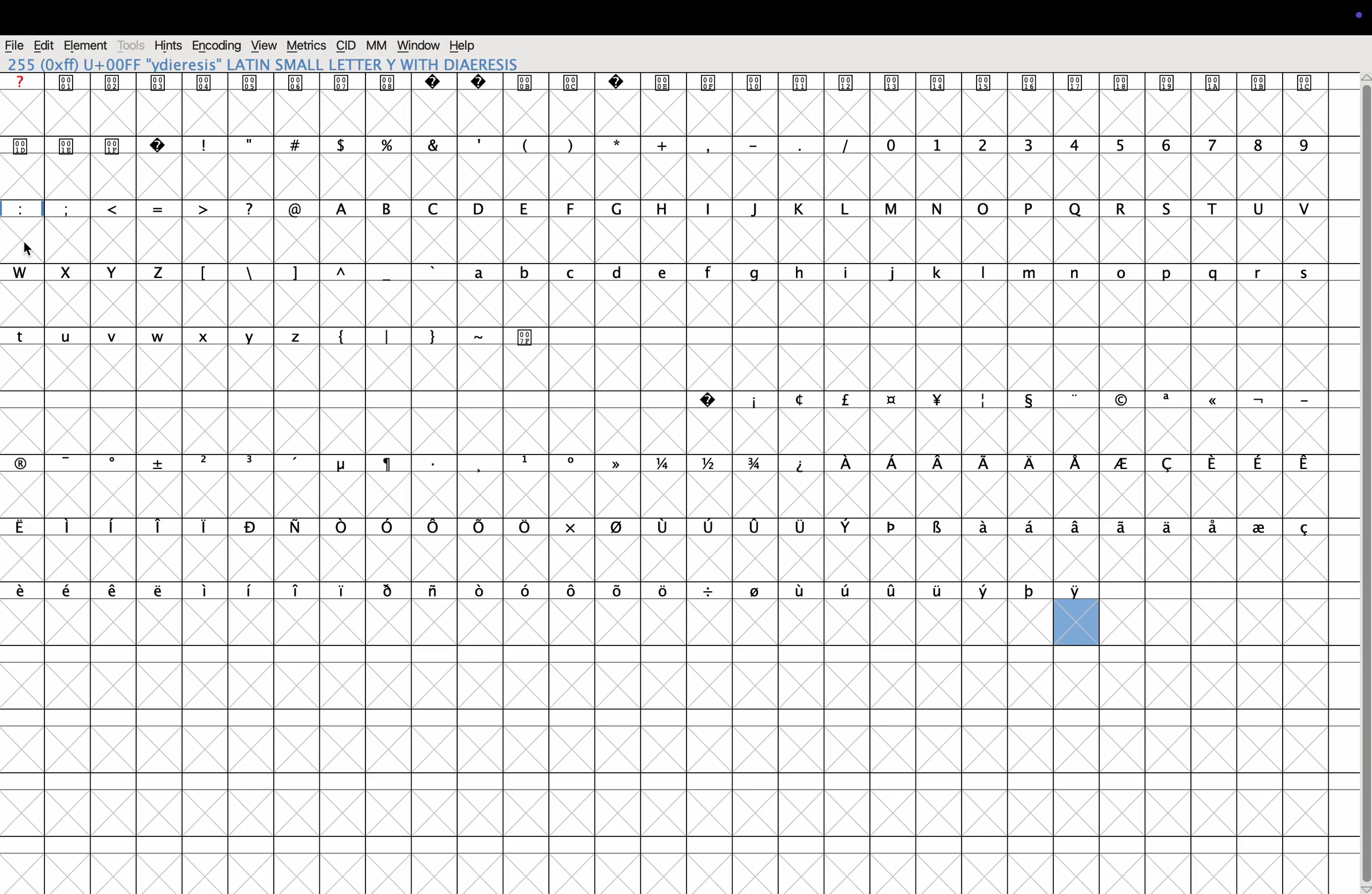 This screenshot has height=894, width=1372. What do you see at coordinates (665, 233) in the screenshot?
I see `H` at bounding box center [665, 233].